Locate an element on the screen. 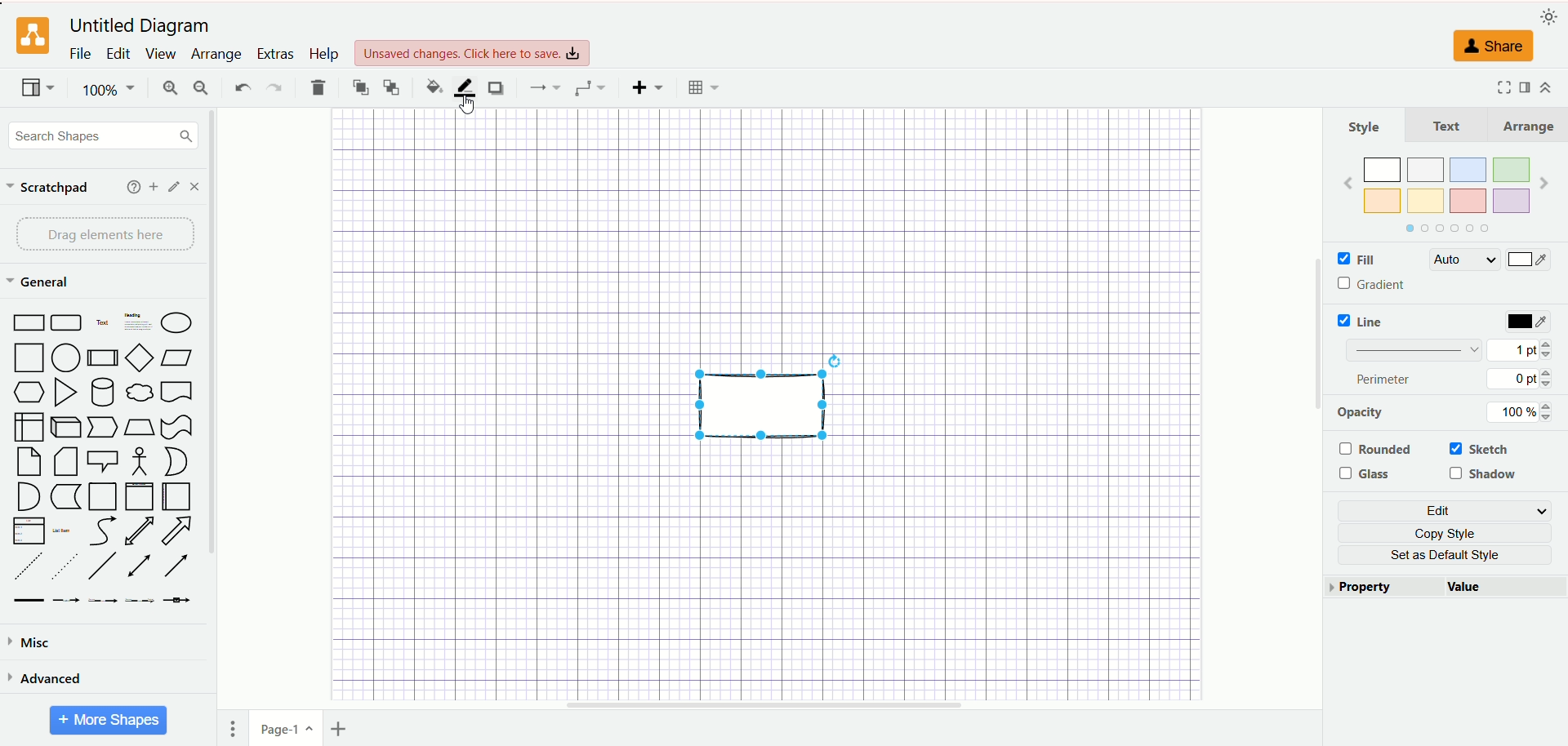 The width and height of the screenshot is (1568, 746). view is located at coordinates (34, 87).